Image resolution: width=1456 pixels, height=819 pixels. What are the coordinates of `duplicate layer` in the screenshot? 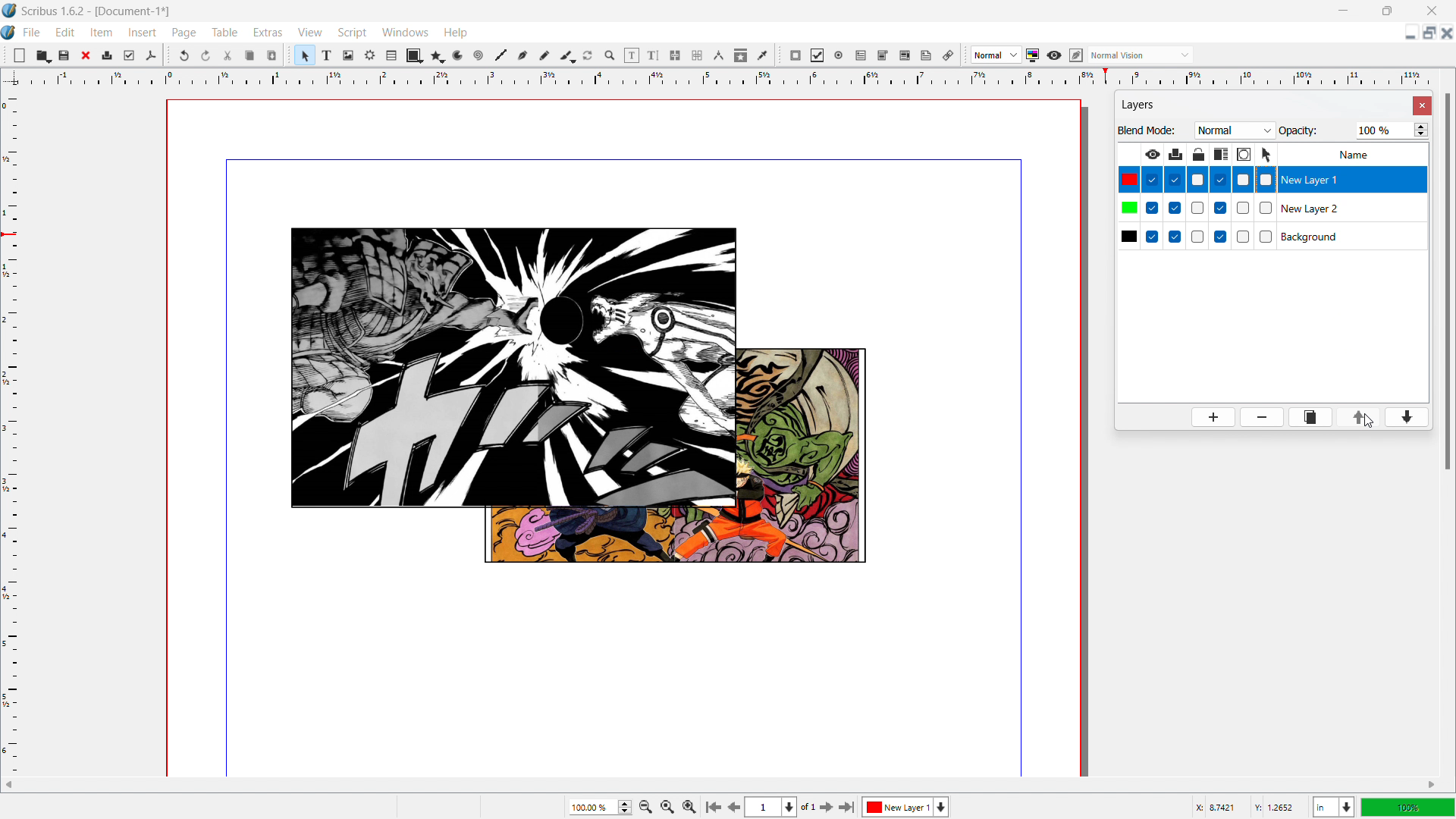 It's located at (1309, 417).